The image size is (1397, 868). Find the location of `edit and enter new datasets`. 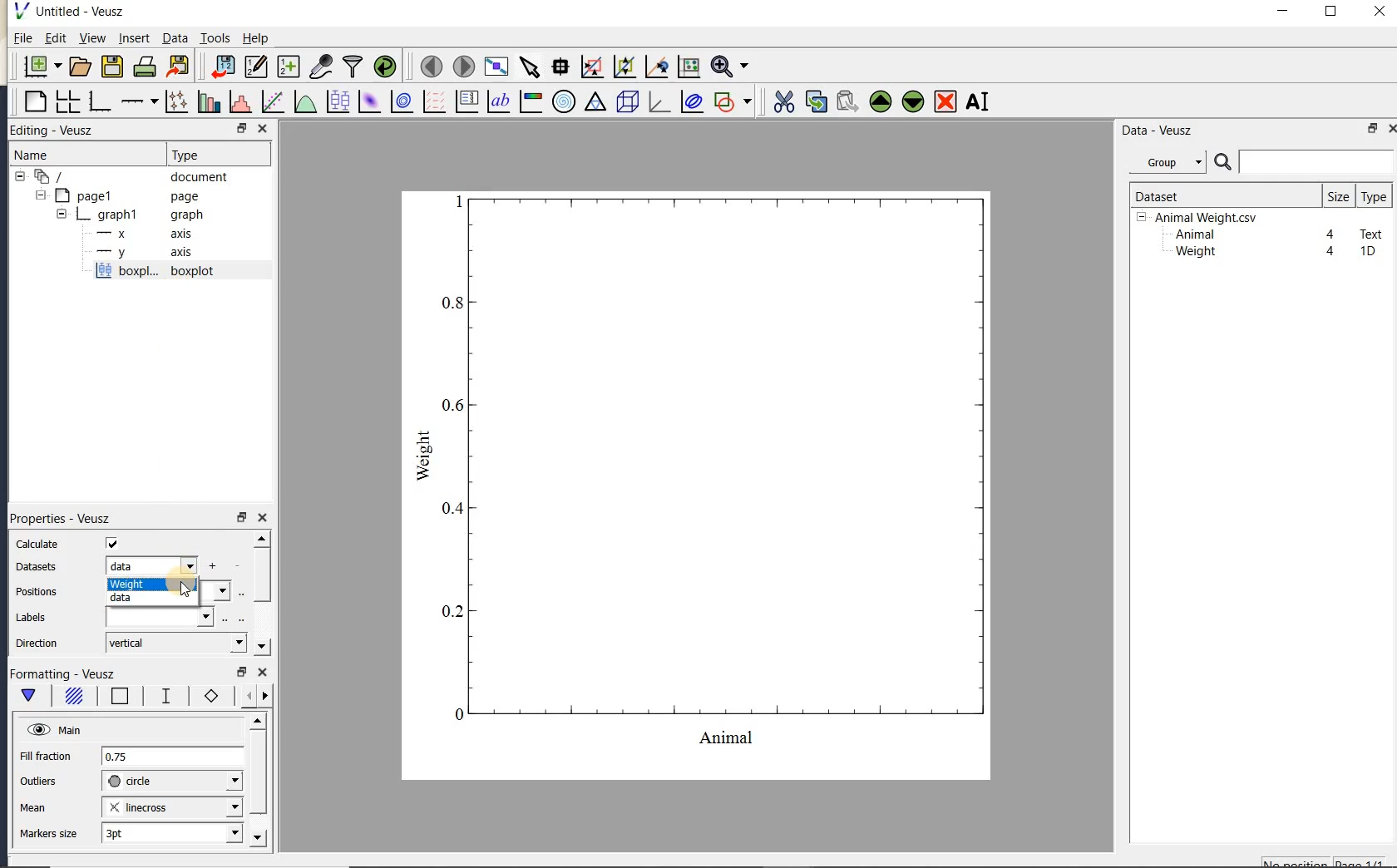

edit and enter new datasets is located at coordinates (255, 67).